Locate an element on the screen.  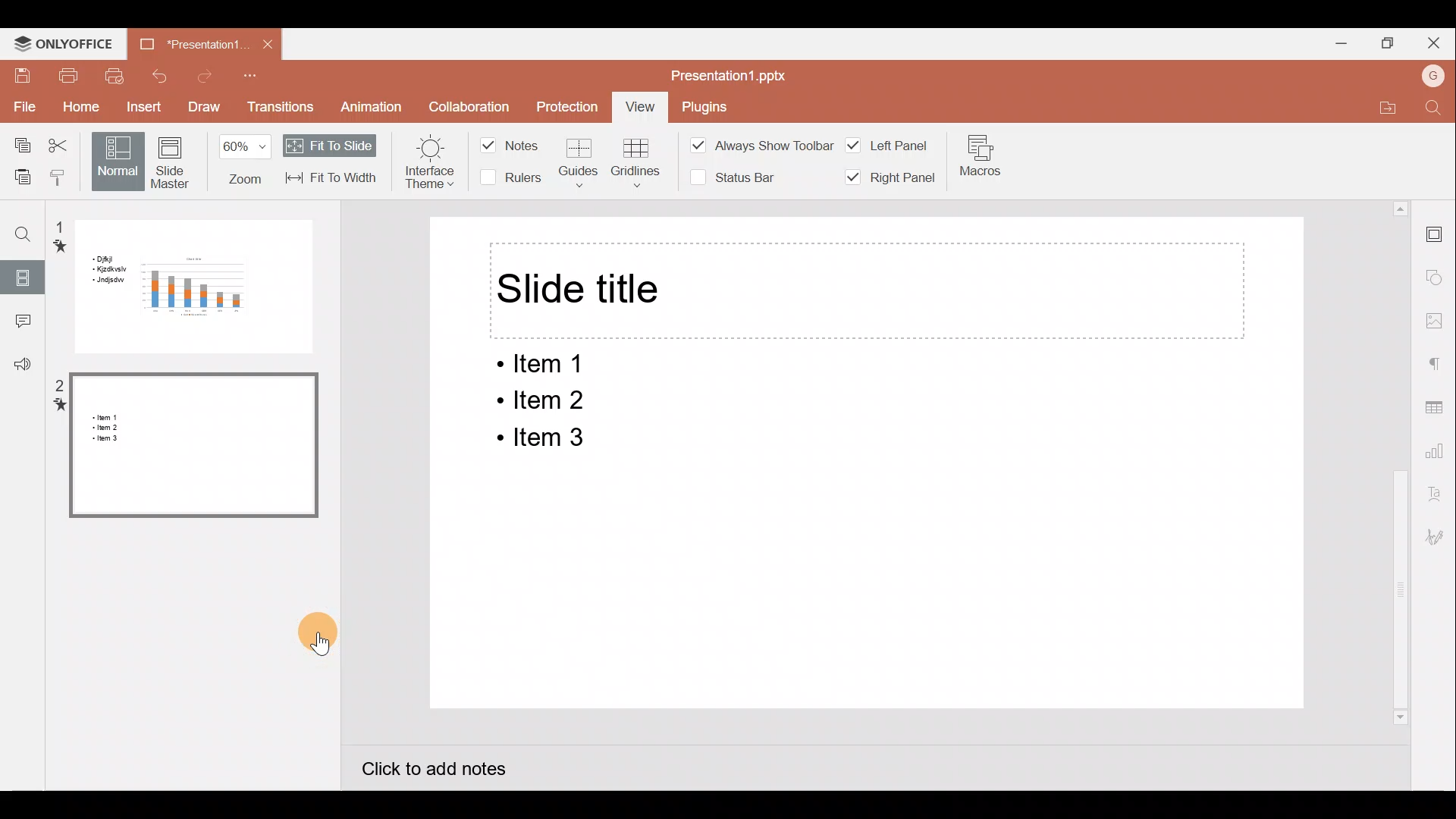
Table settings is located at coordinates (1439, 407).